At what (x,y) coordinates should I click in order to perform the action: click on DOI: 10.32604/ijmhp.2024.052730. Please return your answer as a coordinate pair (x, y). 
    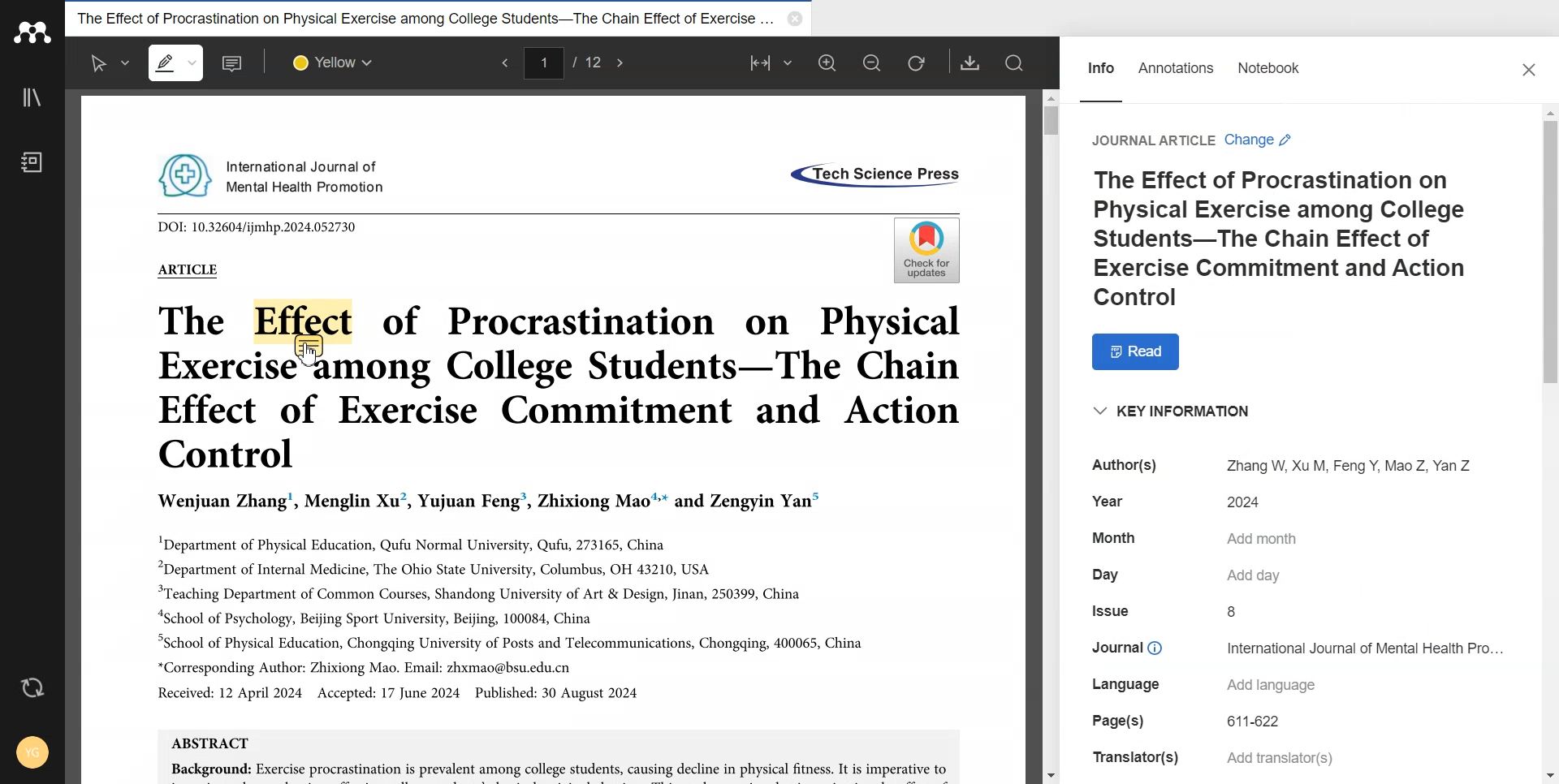
    Looking at the image, I should click on (257, 226).